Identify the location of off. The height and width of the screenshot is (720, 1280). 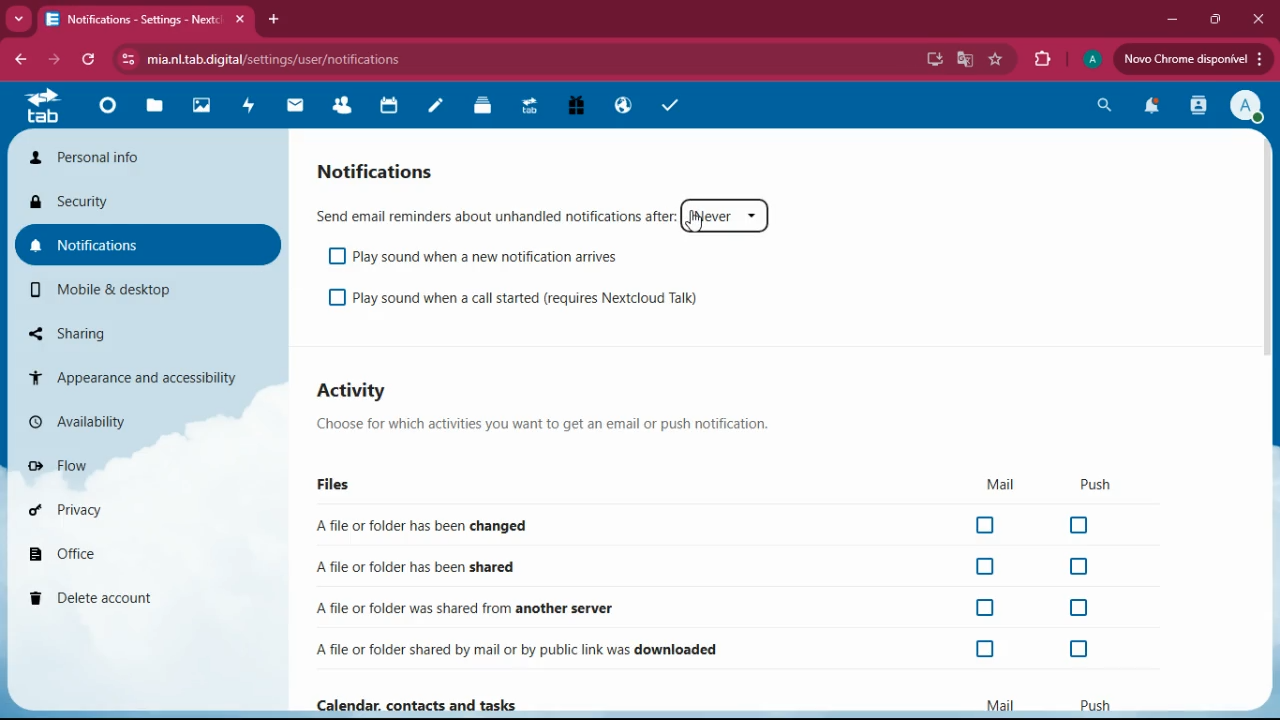
(1078, 607).